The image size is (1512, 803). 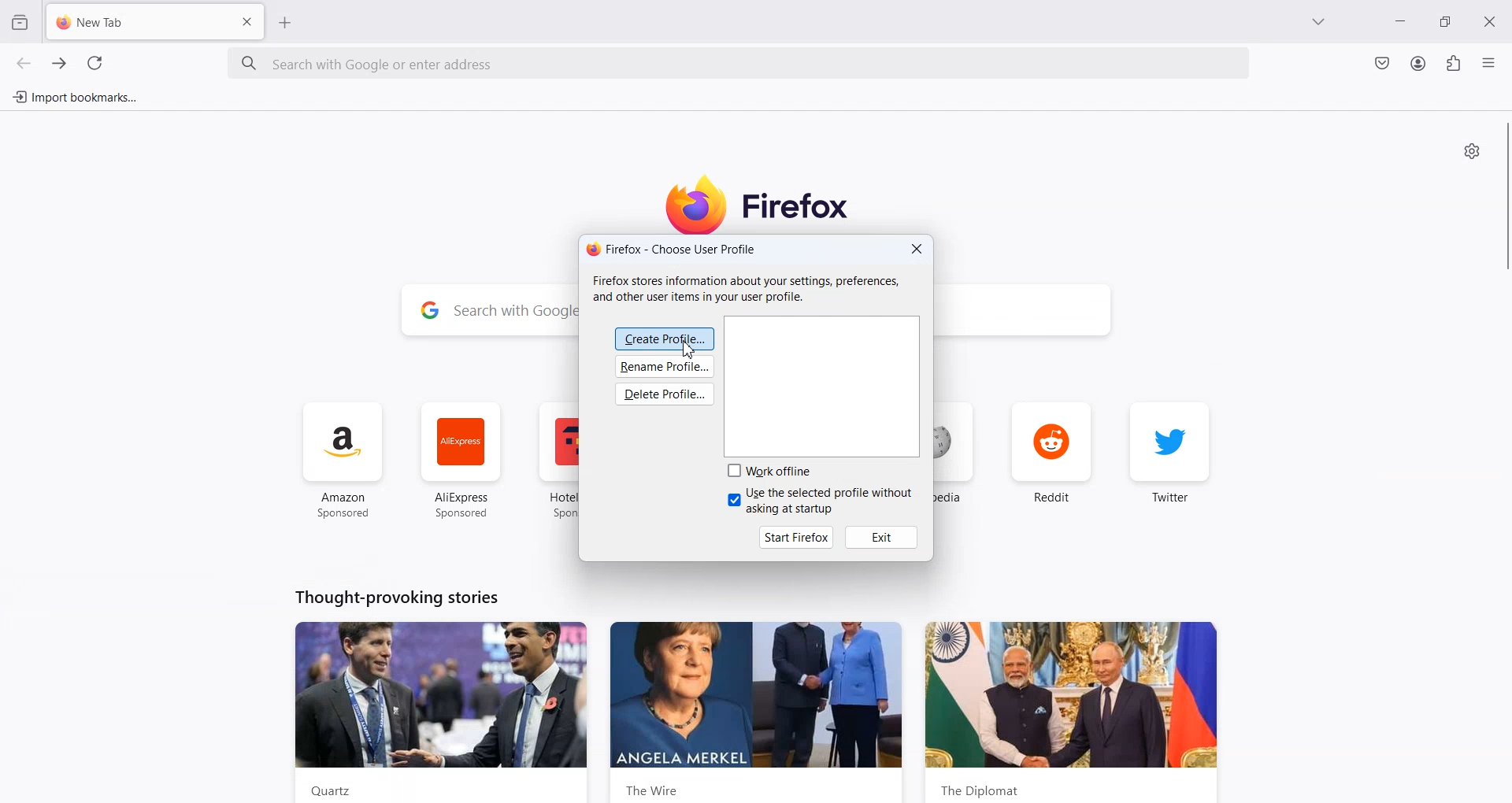 I want to click on Work offline, so click(x=773, y=471).